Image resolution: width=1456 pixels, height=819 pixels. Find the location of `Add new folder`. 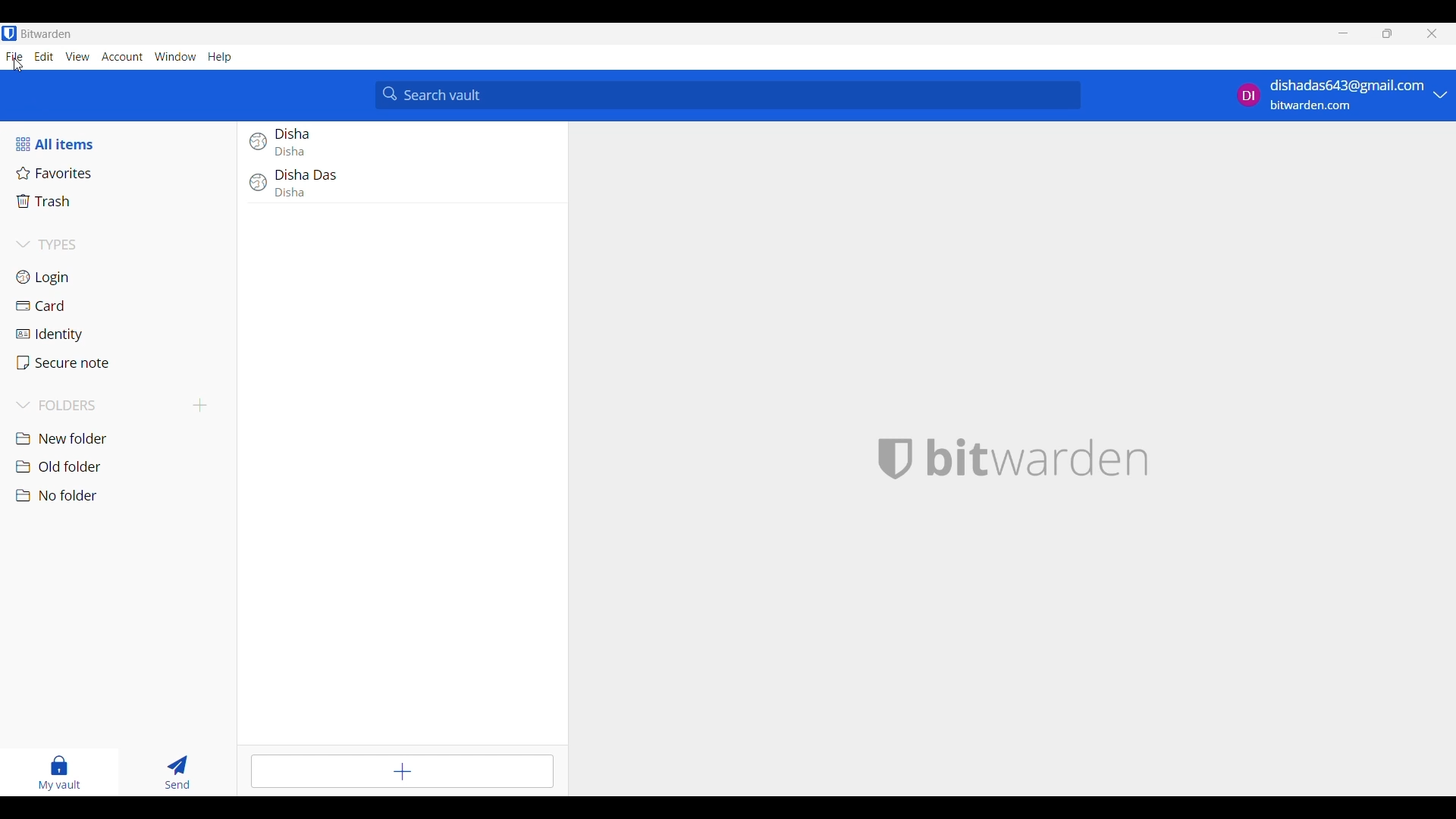

Add new folder is located at coordinates (200, 406).